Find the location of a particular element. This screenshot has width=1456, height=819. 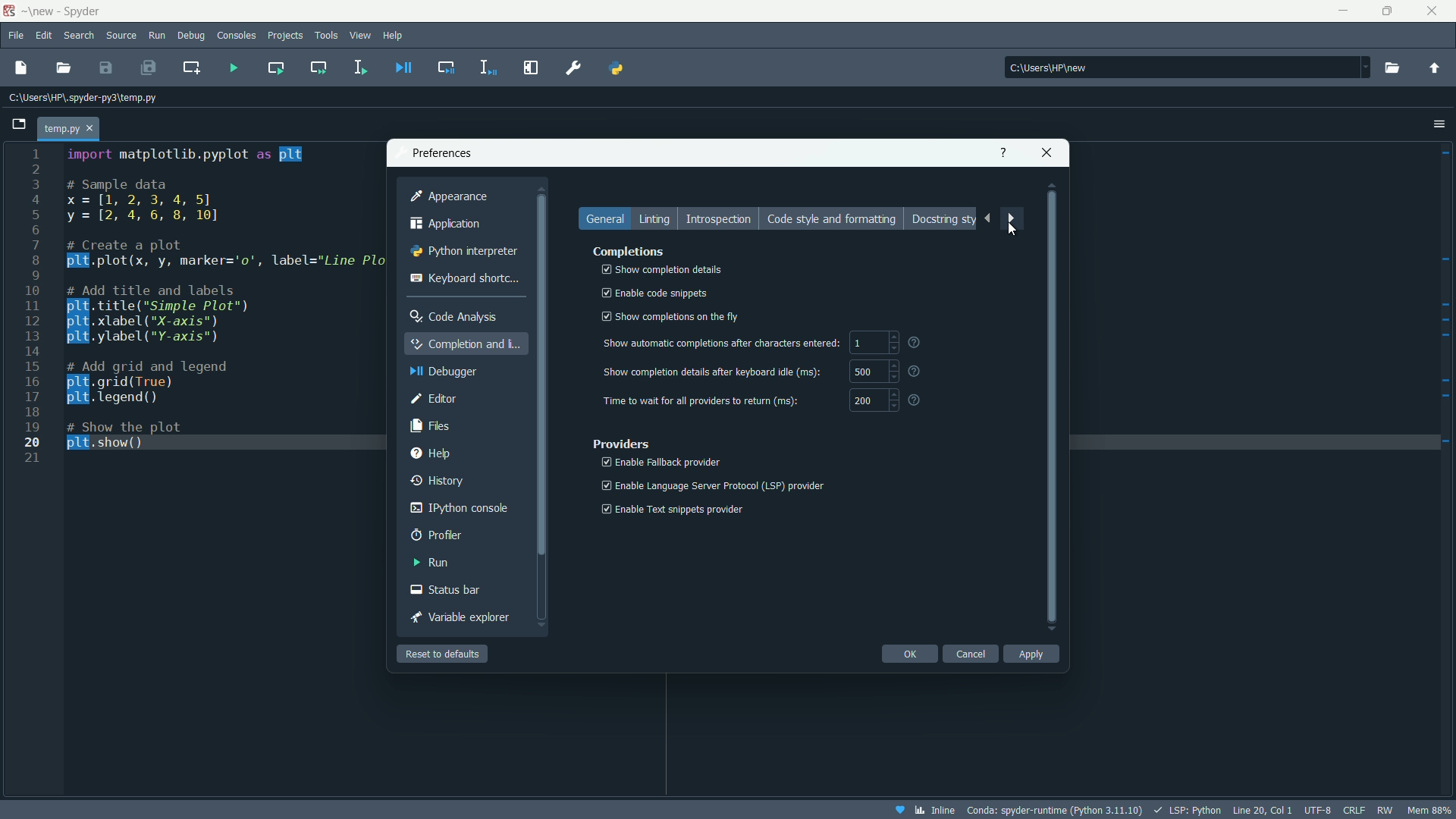

reset to default is located at coordinates (443, 654).